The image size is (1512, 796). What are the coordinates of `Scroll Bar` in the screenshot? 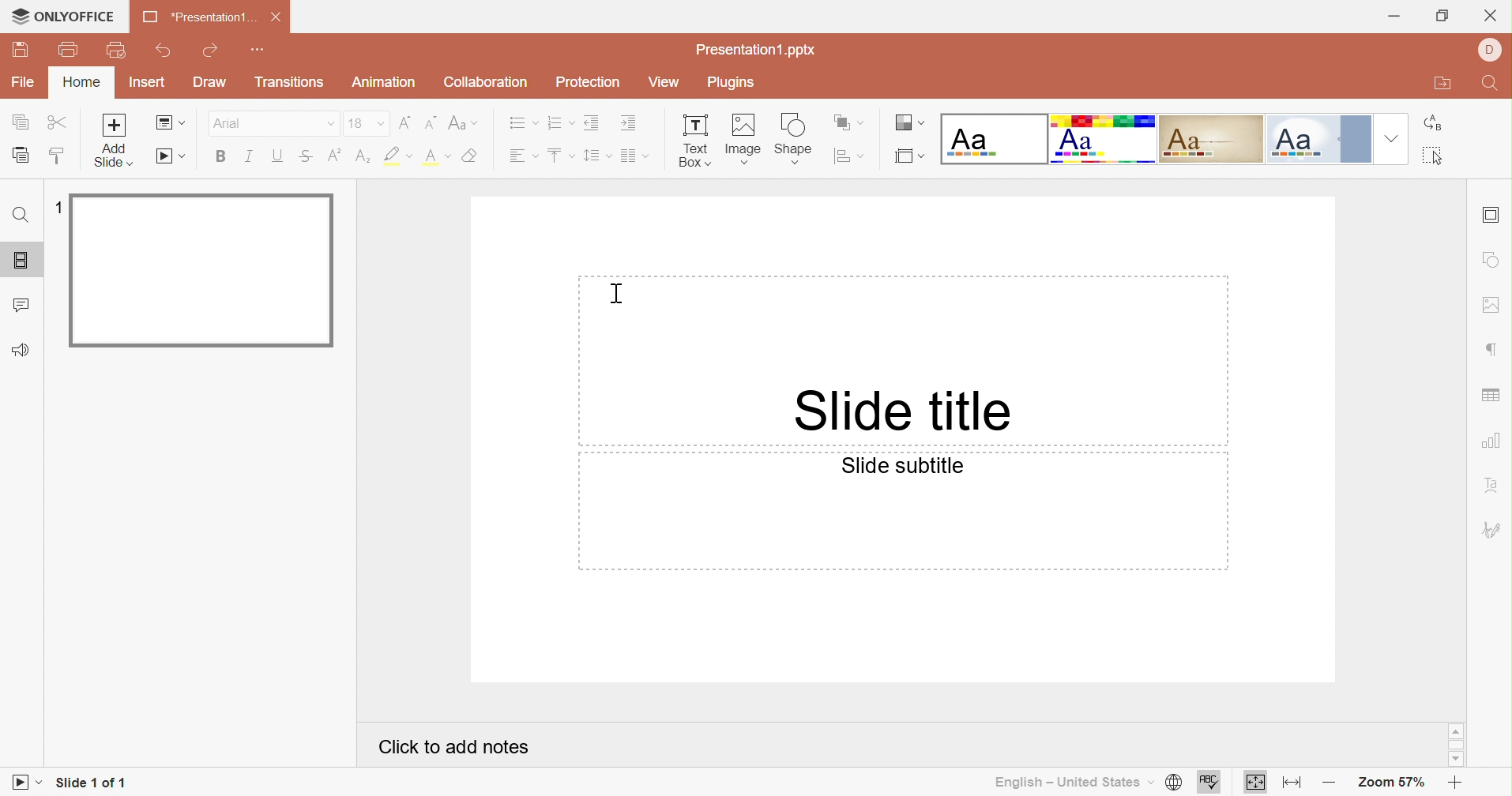 It's located at (1460, 746).